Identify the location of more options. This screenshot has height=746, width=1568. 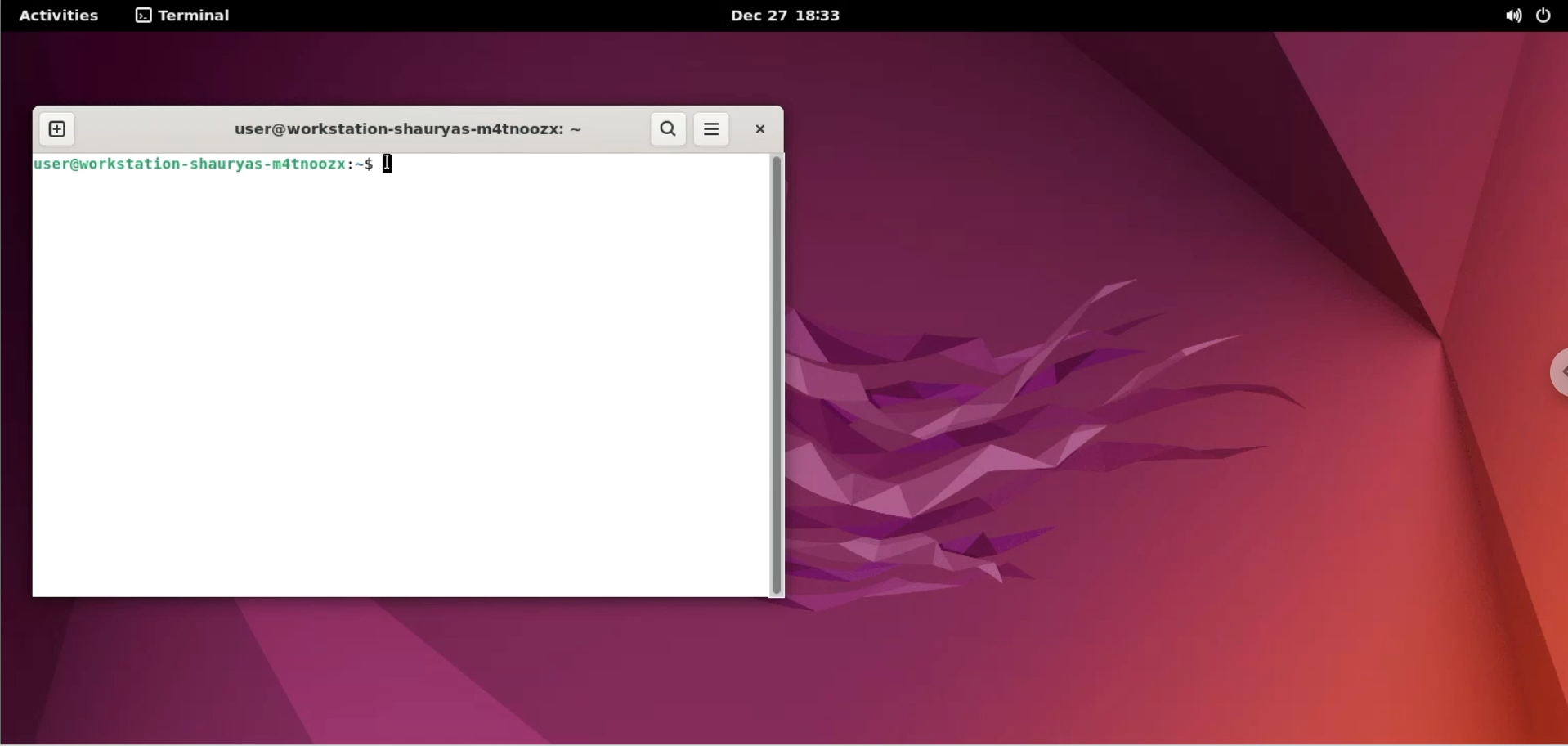
(716, 129).